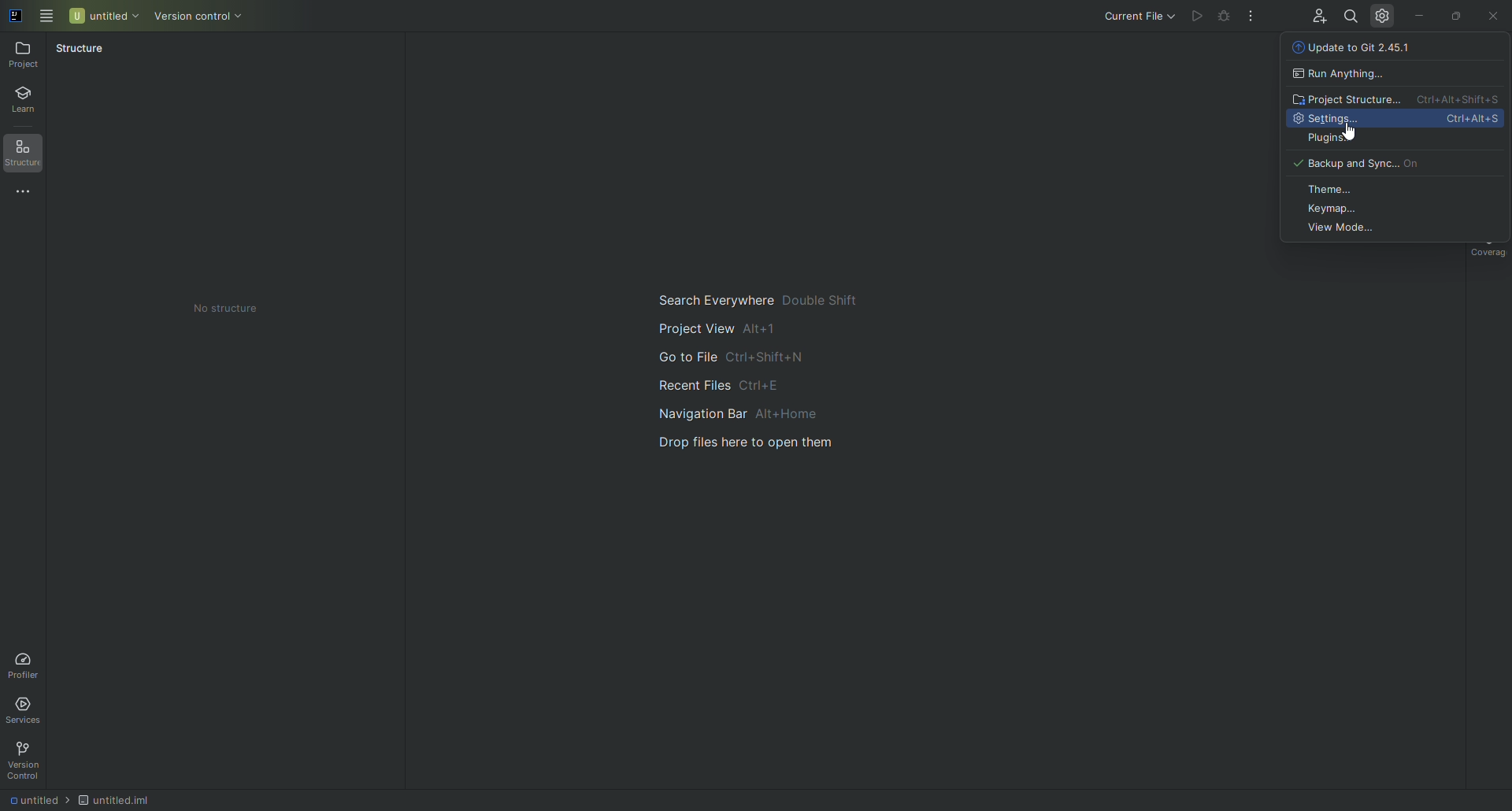 The width and height of the screenshot is (1512, 811). What do you see at coordinates (1398, 98) in the screenshot?
I see `Project Structure` at bounding box center [1398, 98].